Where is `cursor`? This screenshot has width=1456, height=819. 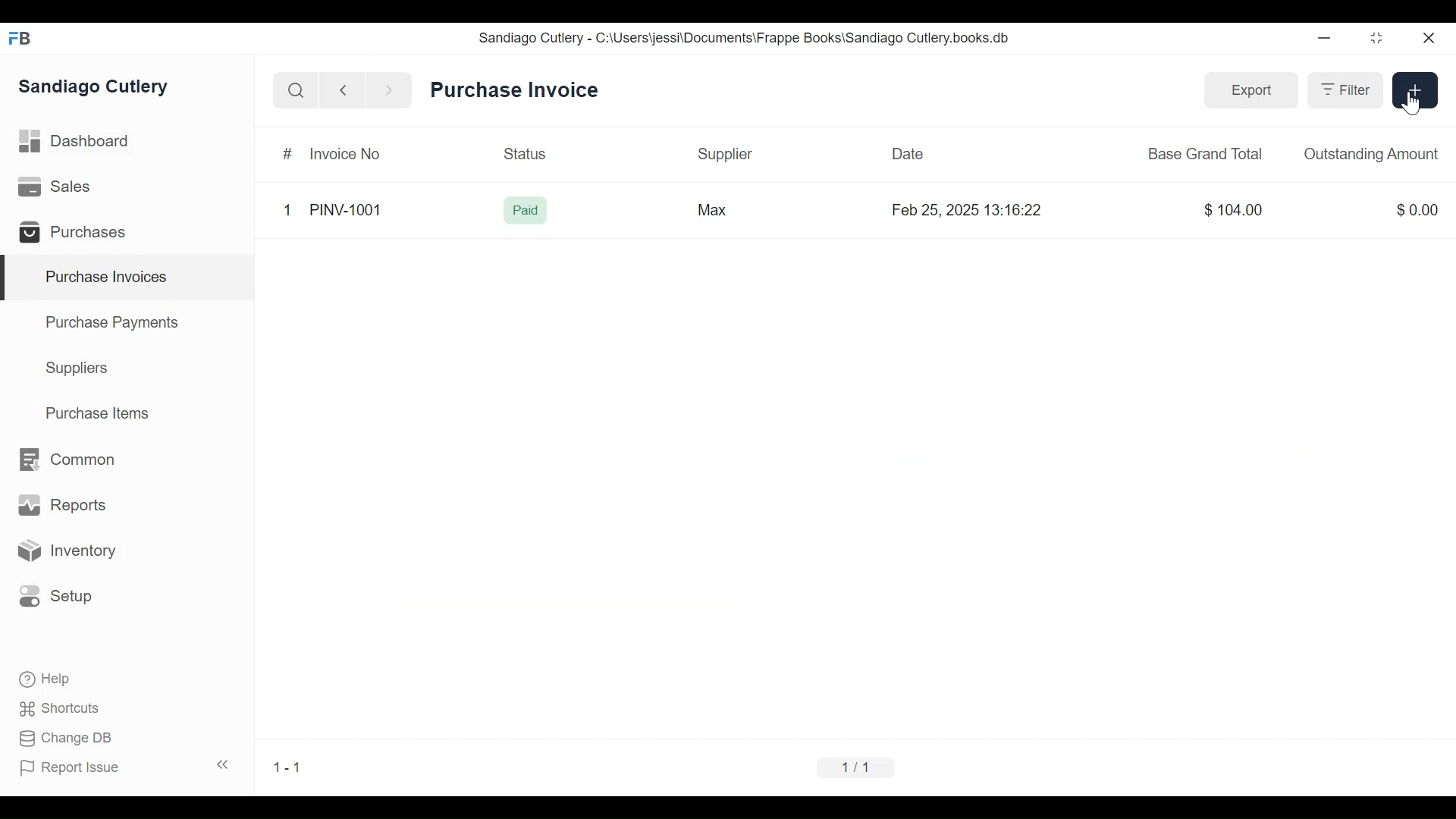
cursor is located at coordinates (1410, 102).